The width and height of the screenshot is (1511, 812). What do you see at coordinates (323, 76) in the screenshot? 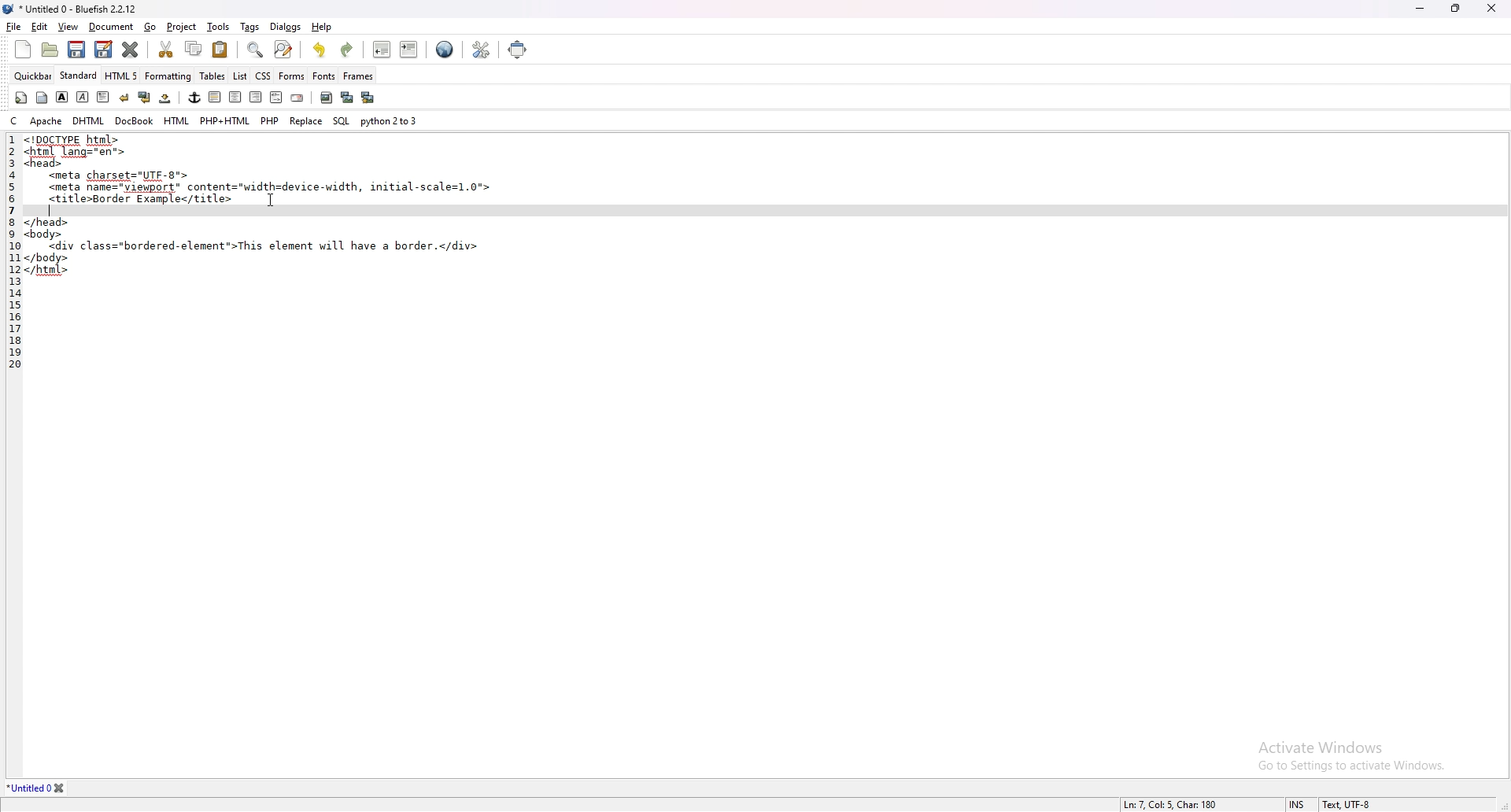
I see `fonts` at bounding box center [323, 76].